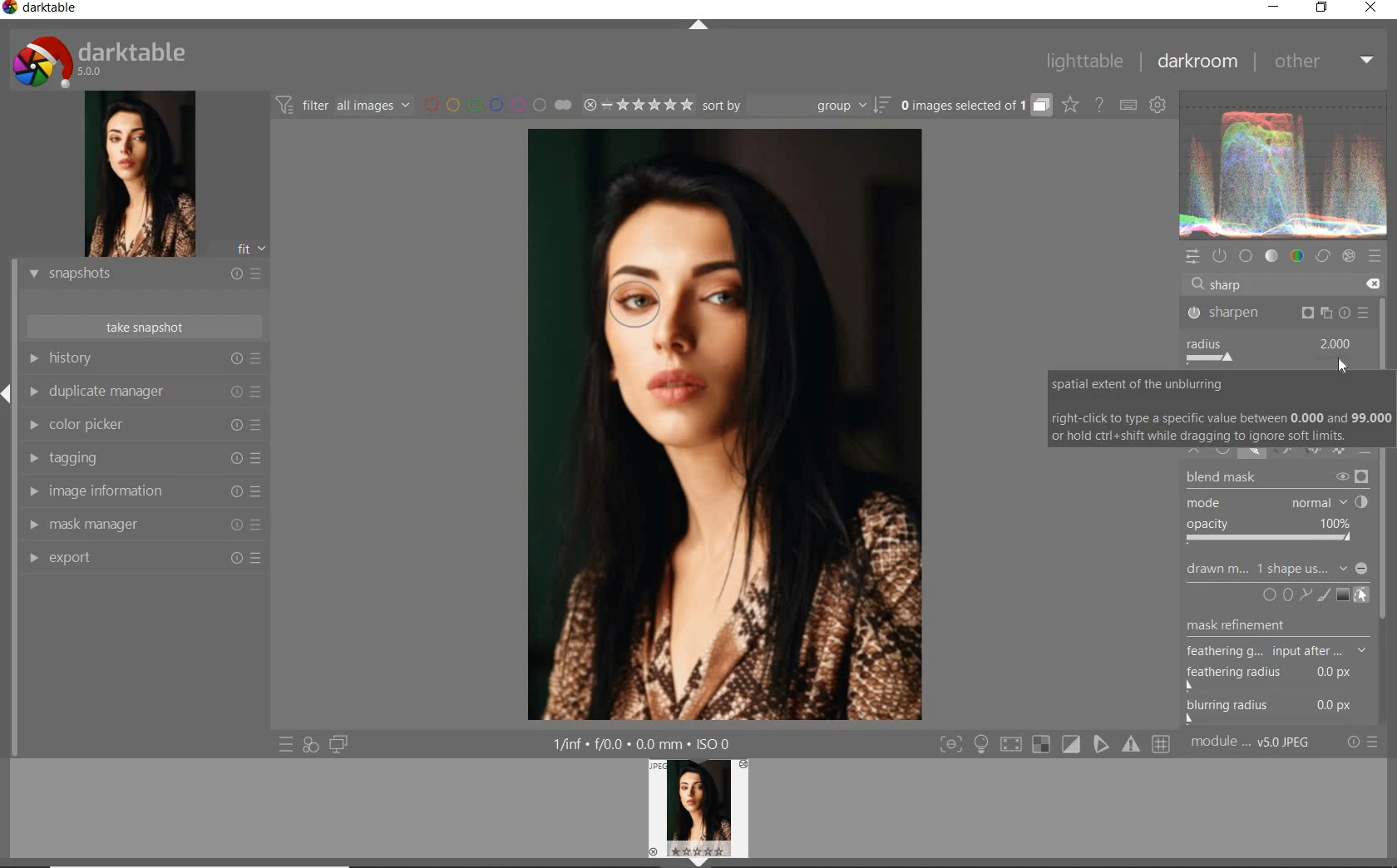 This screenshot has height=868, width=1397. I want to click on history, so click(146, 358).